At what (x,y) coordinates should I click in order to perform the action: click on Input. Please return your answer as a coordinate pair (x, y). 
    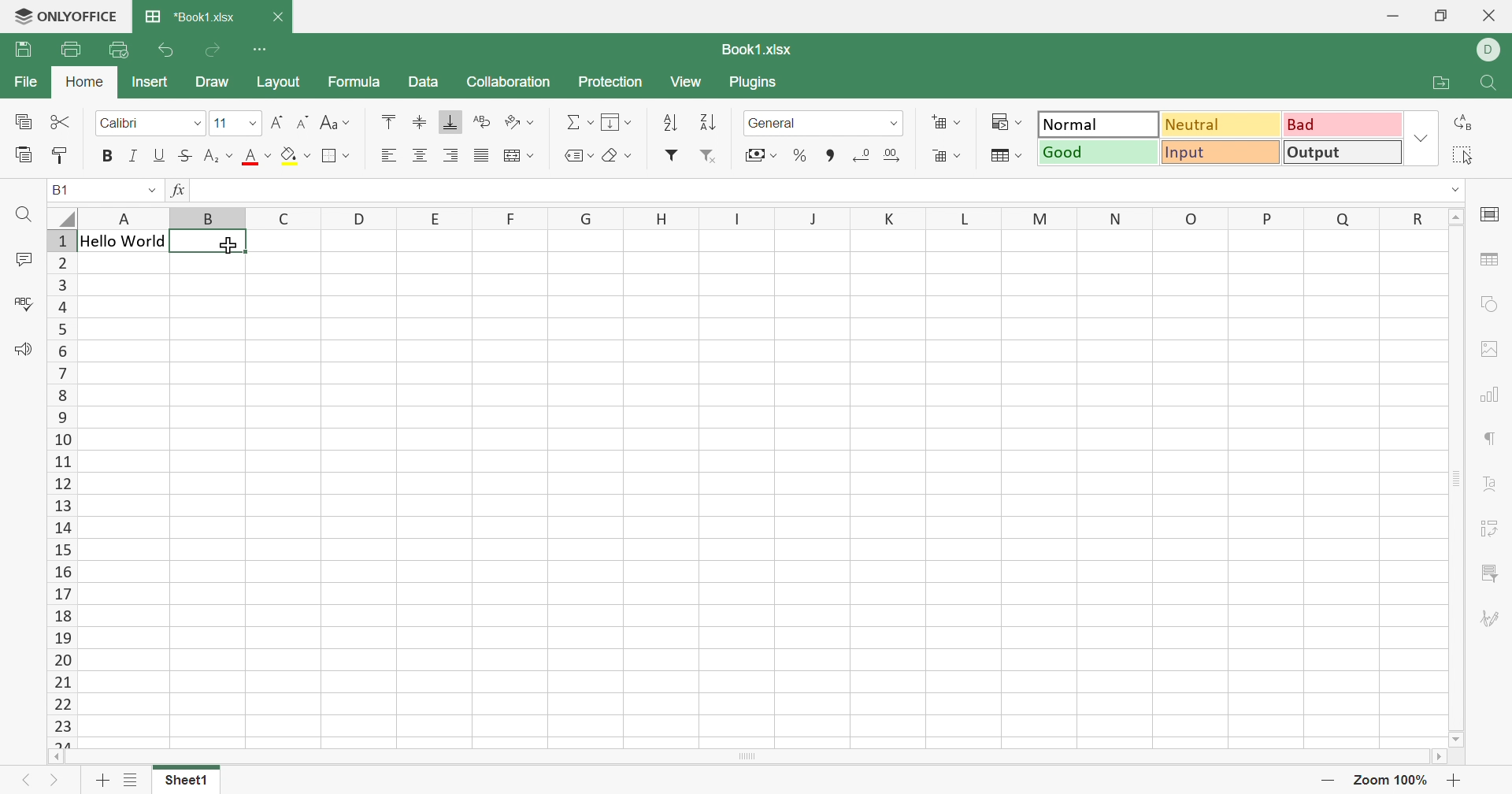
    Looking at the image, I should click on (1222, 154).